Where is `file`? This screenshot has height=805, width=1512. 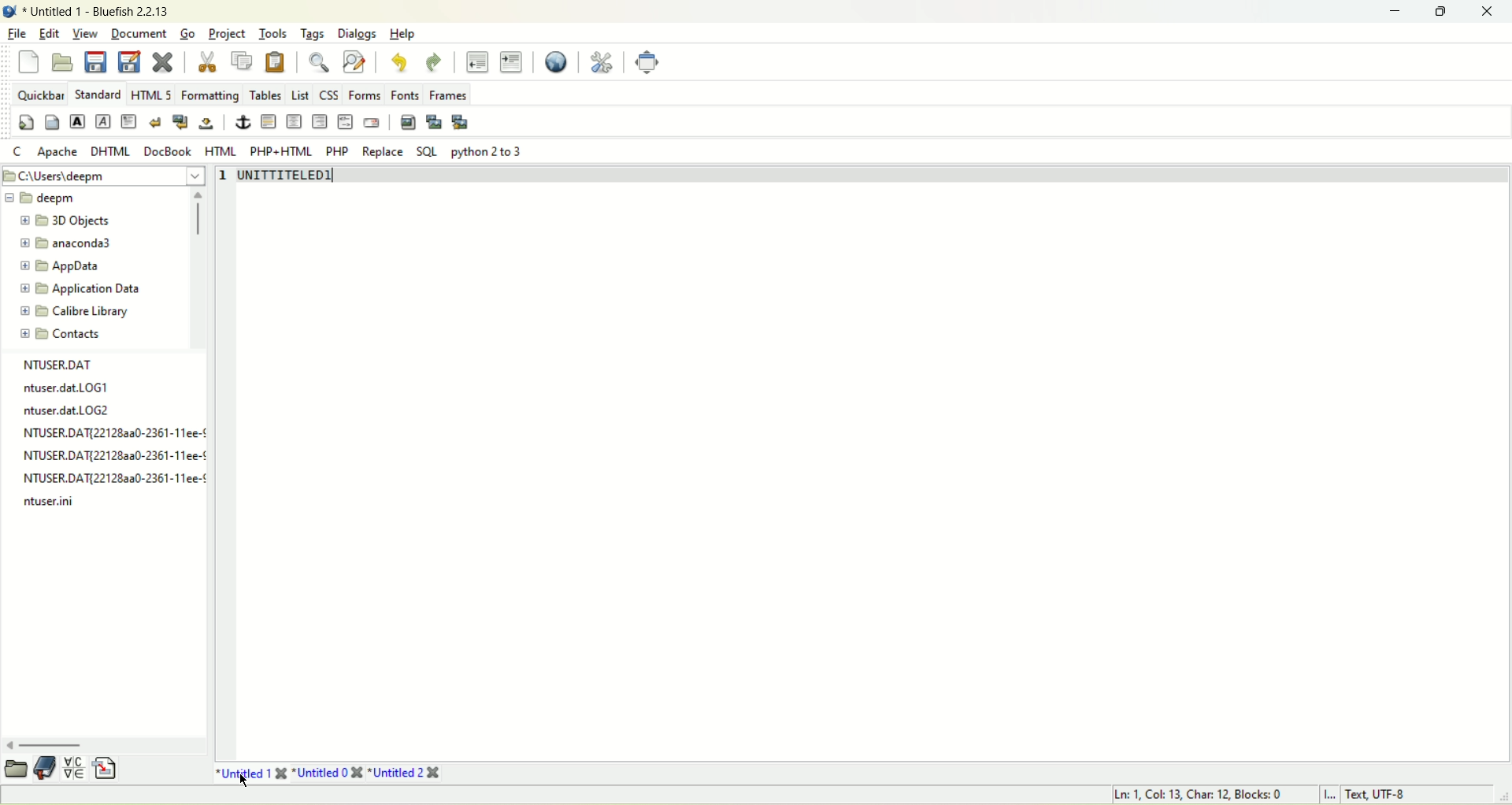 file is located at coordinates (61, 362).